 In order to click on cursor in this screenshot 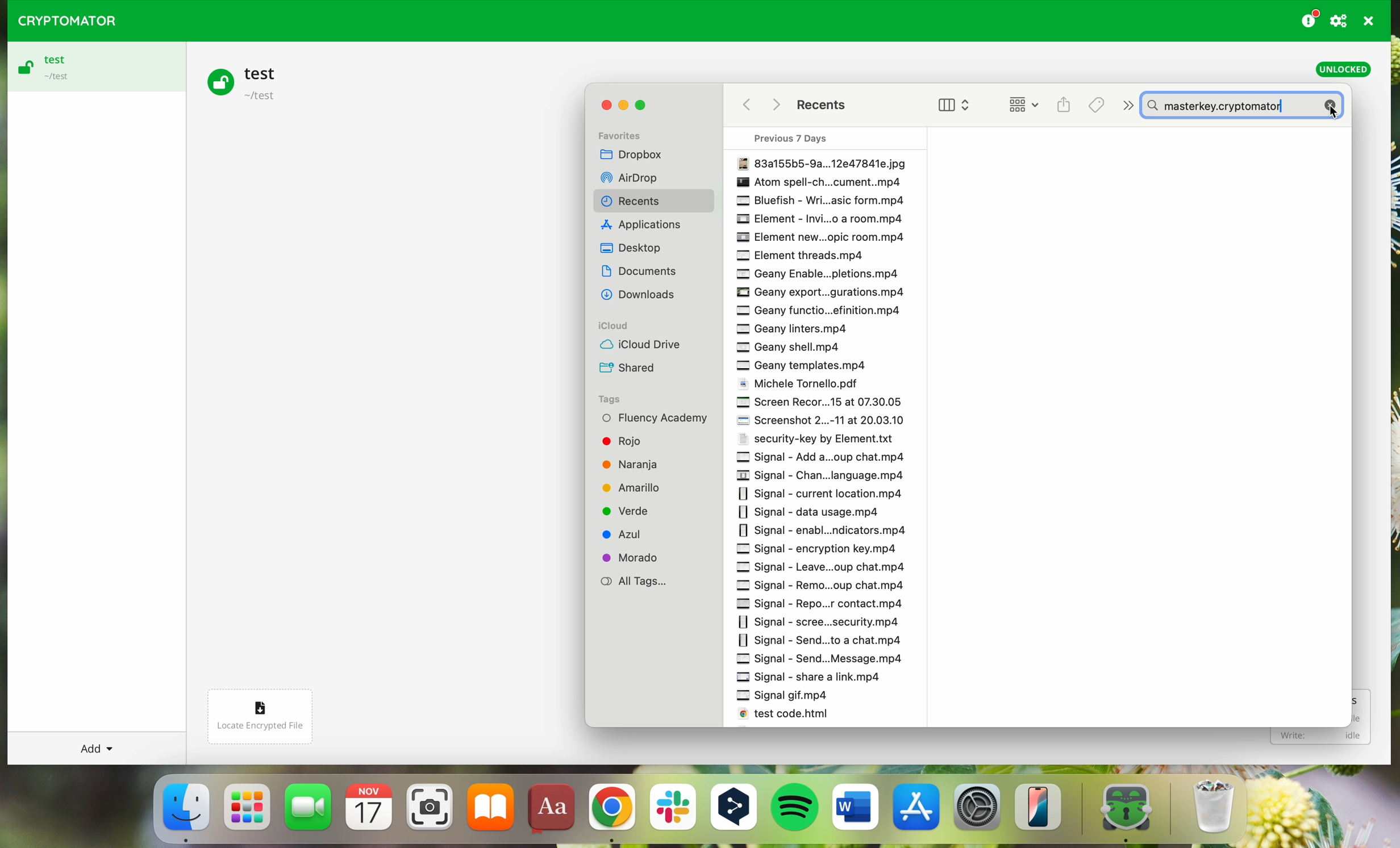, I will do `click(1330, 111)`.